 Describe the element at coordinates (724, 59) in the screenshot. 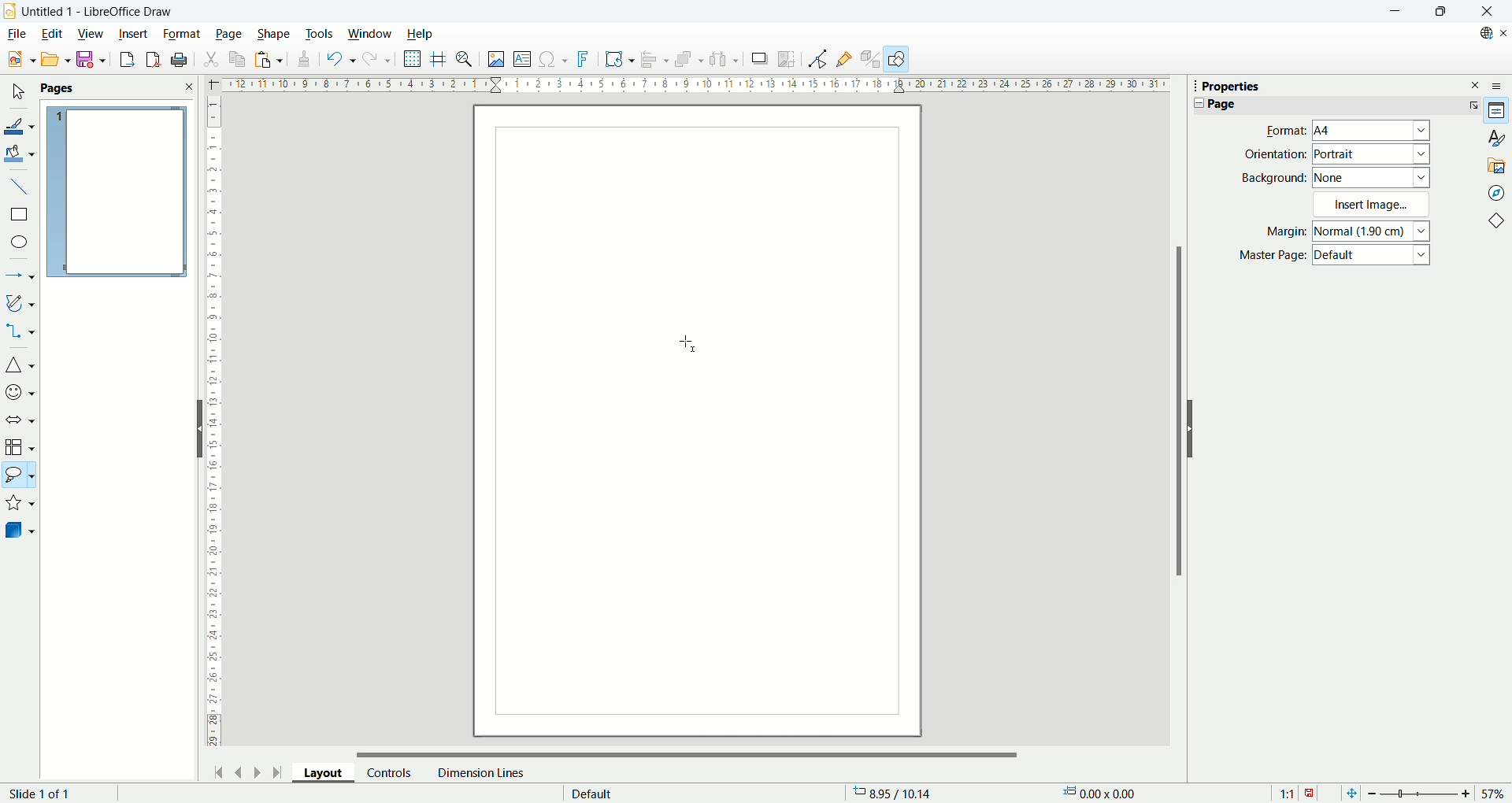

I see `select atleast three objects to distribute` at that location.